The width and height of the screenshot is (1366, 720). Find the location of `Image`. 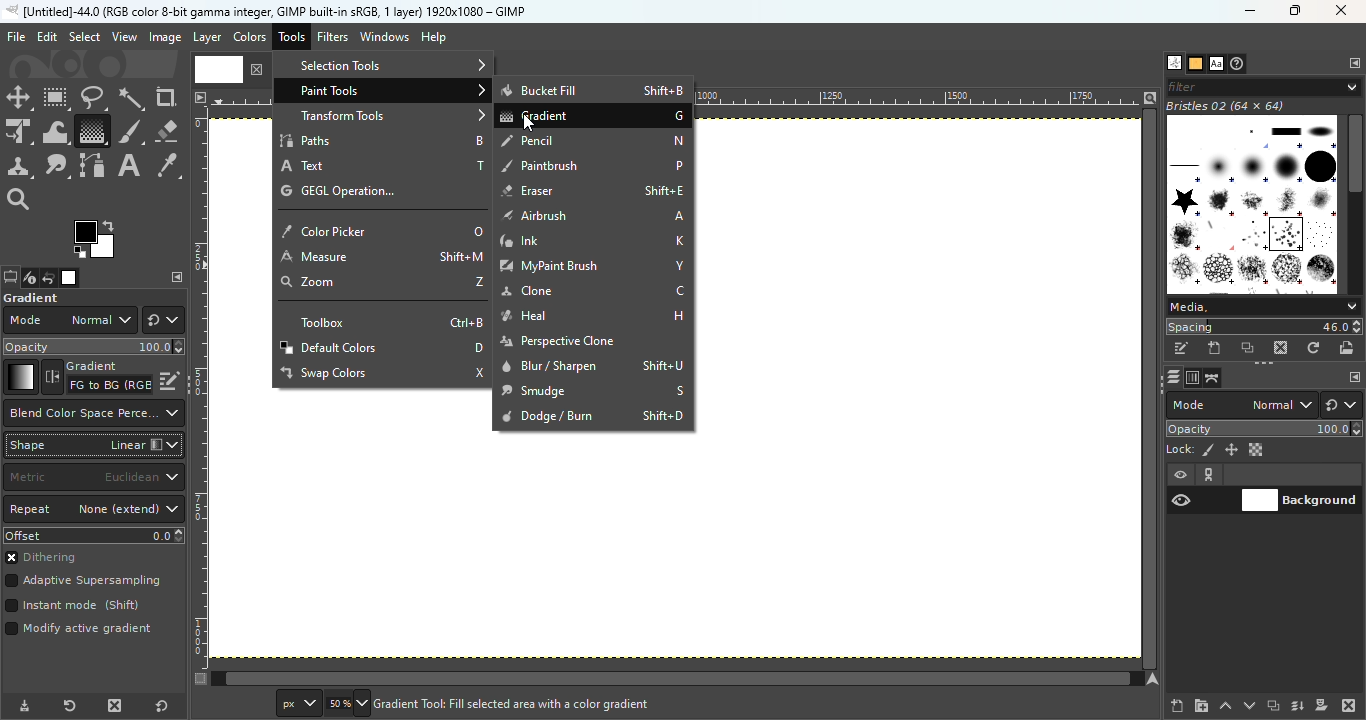

Image is located at coordinates (164, 38).